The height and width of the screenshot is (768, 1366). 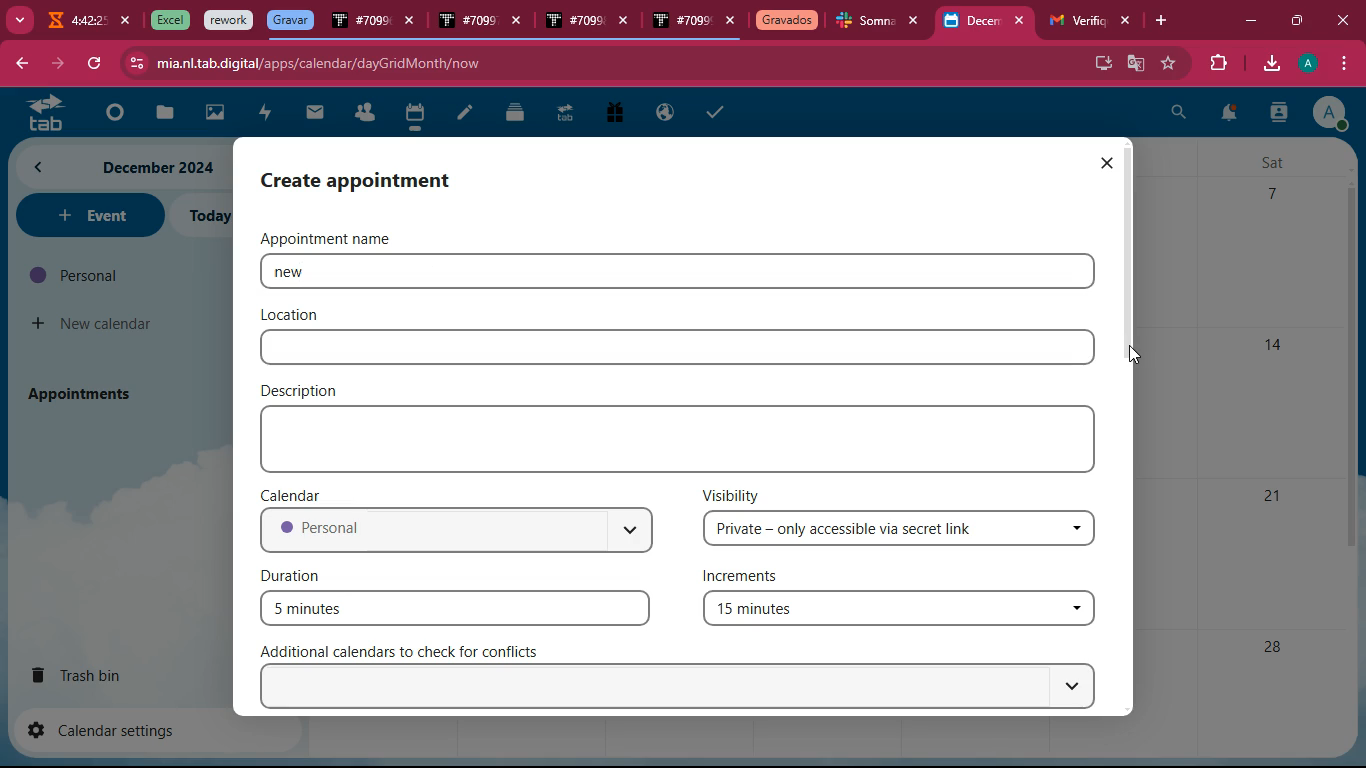 What do you see at coordinates (292, 315) in the screenshot?
I see `location` at bounding box center [292, 315].